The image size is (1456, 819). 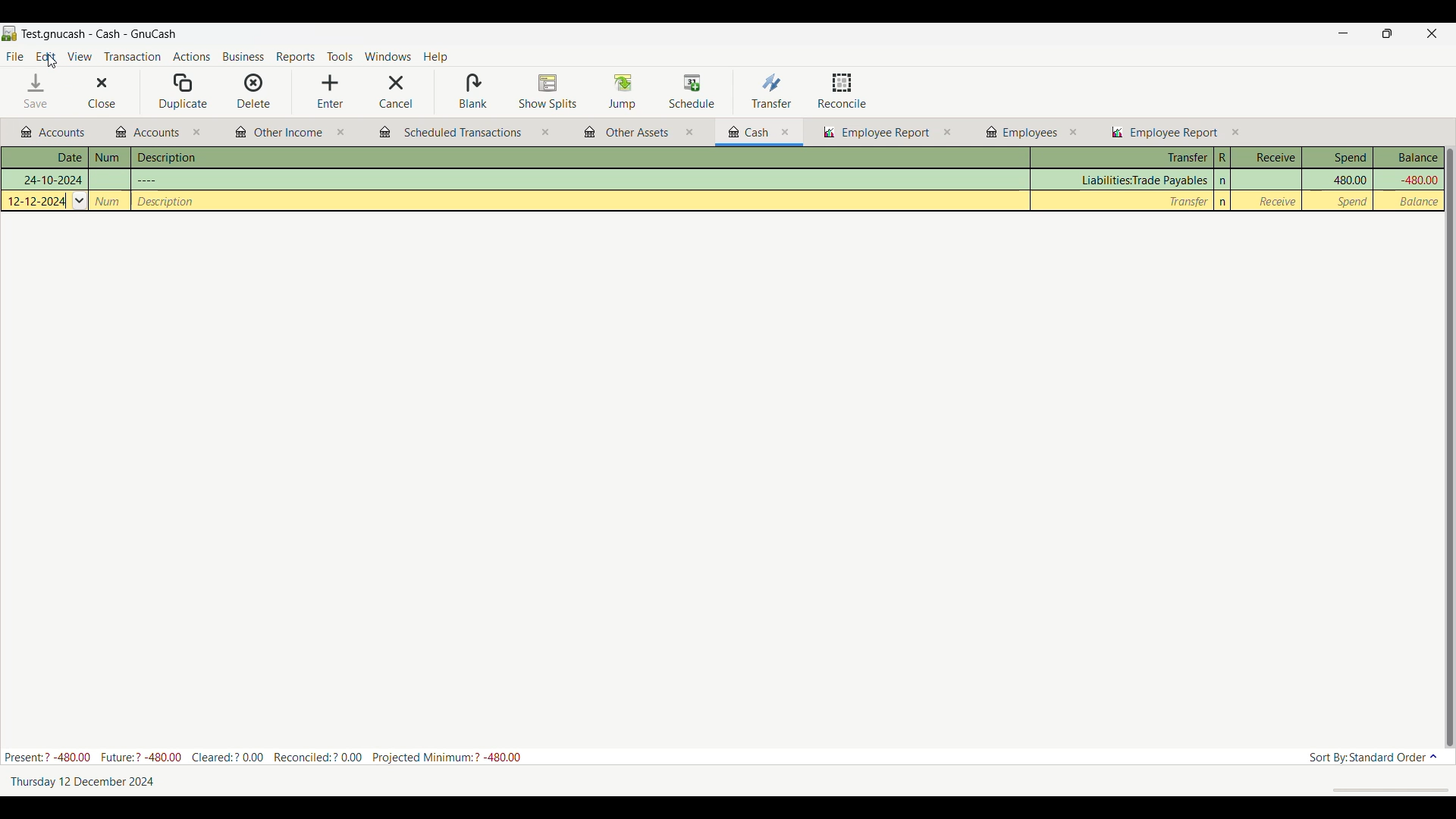 What do you see at coordinates (1236, 132) in the screenshot?
I see `close` at bounding box center [1236, 132].